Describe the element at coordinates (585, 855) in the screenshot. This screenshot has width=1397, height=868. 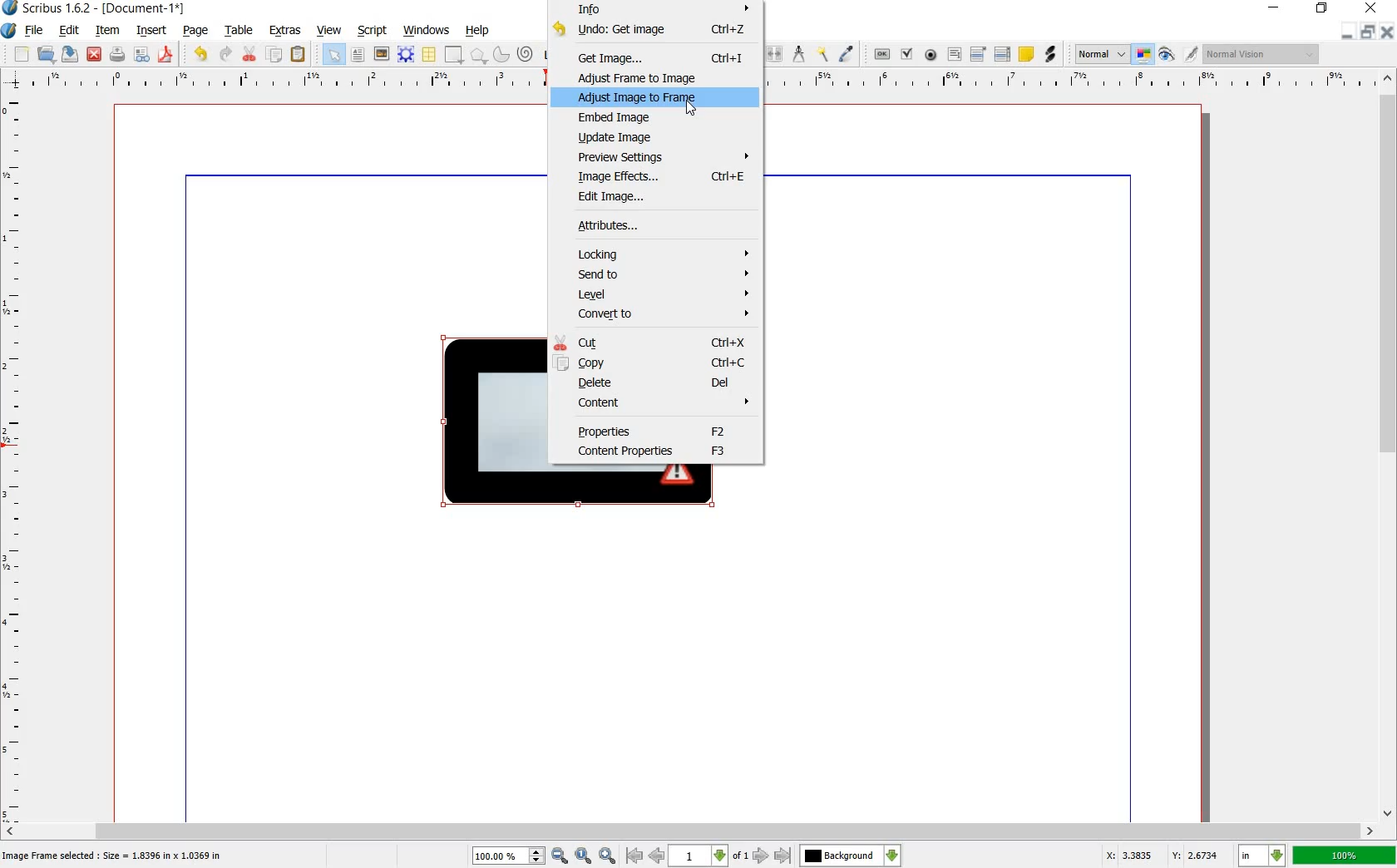
I see `Zoom to` at that location.